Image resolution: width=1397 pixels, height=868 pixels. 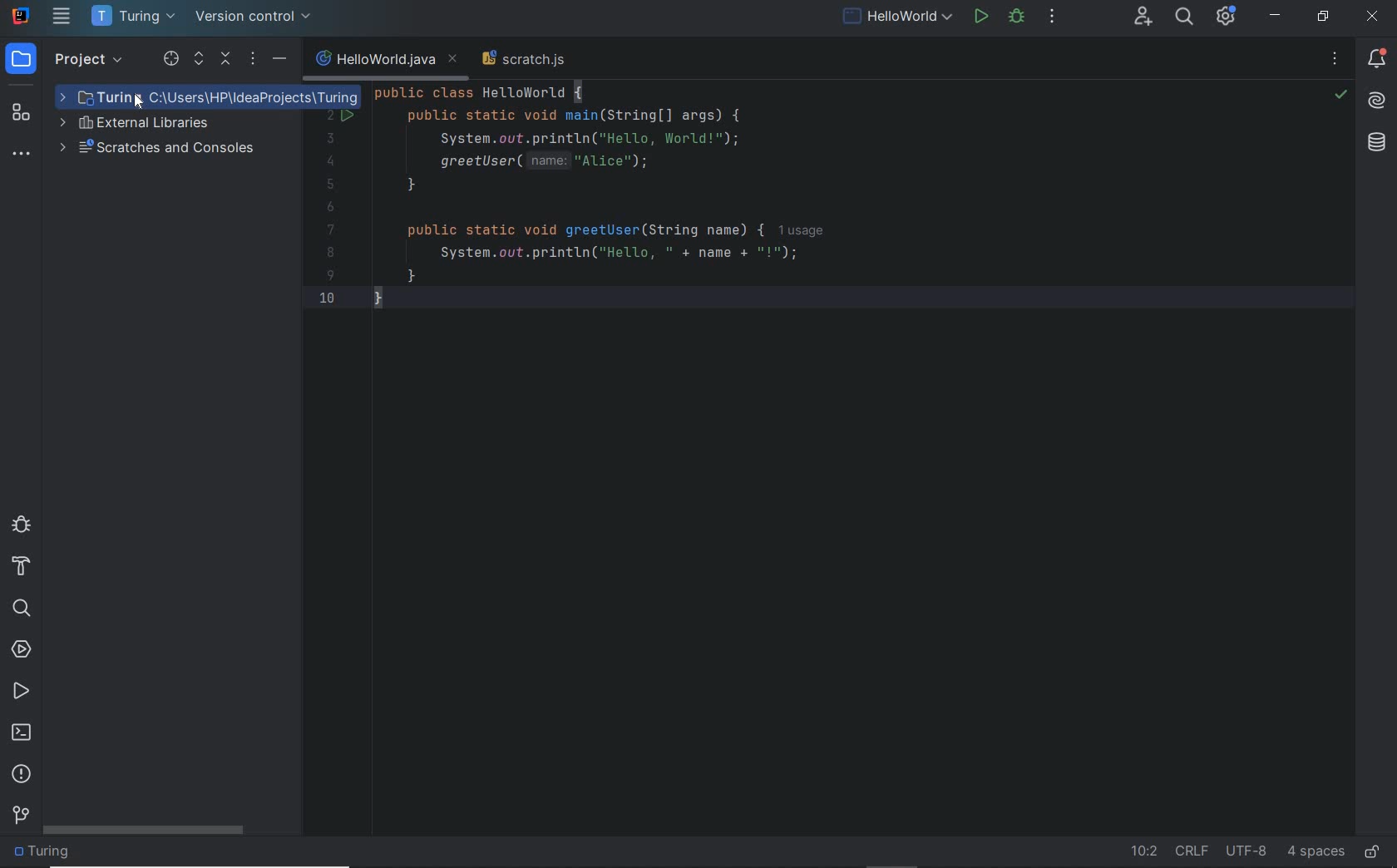 I want to click on structure, so click(x=23, y=114).